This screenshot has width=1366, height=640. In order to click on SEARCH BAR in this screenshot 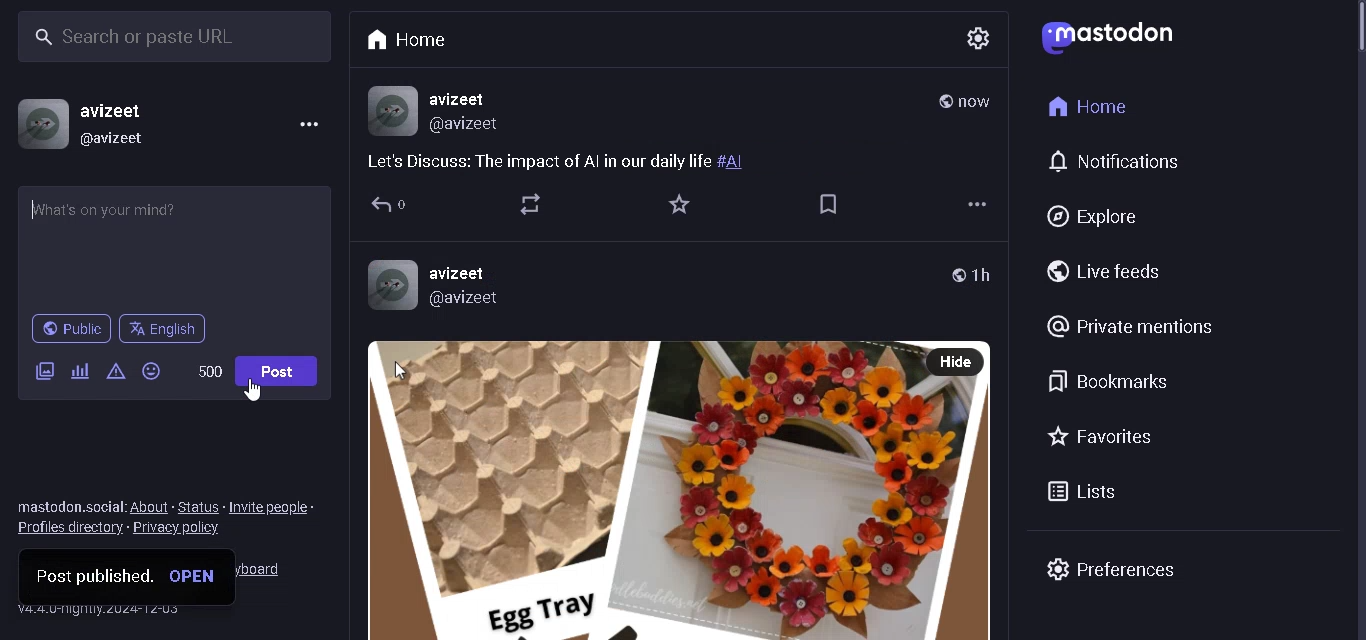, I will do `click(177, 38)`.